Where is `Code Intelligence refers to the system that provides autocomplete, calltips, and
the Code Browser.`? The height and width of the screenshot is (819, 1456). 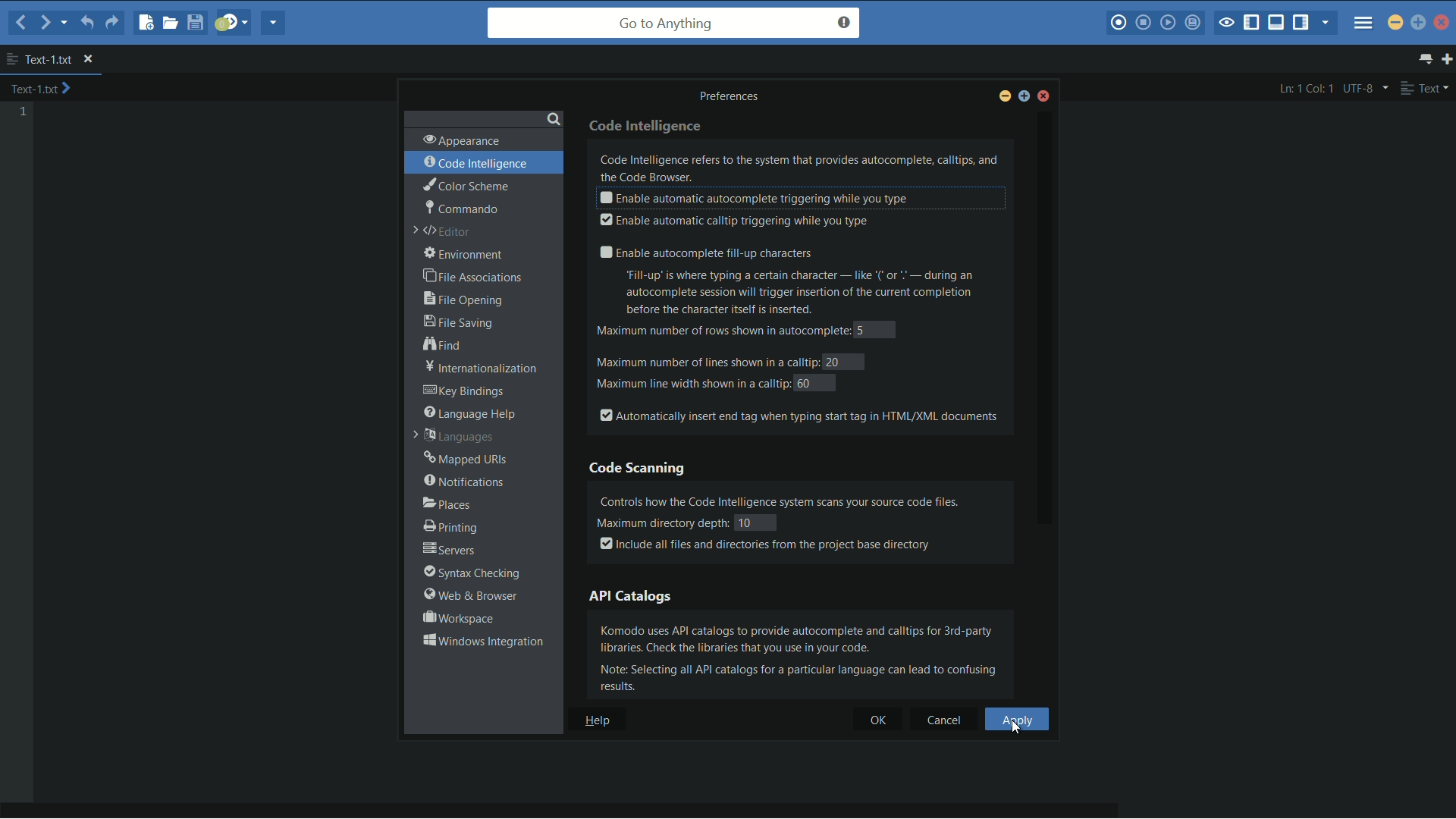 Code Intelligence refers to the system that provides autocomplete, calltips, and
the Code Browser. is located at coordinates (801, 167).